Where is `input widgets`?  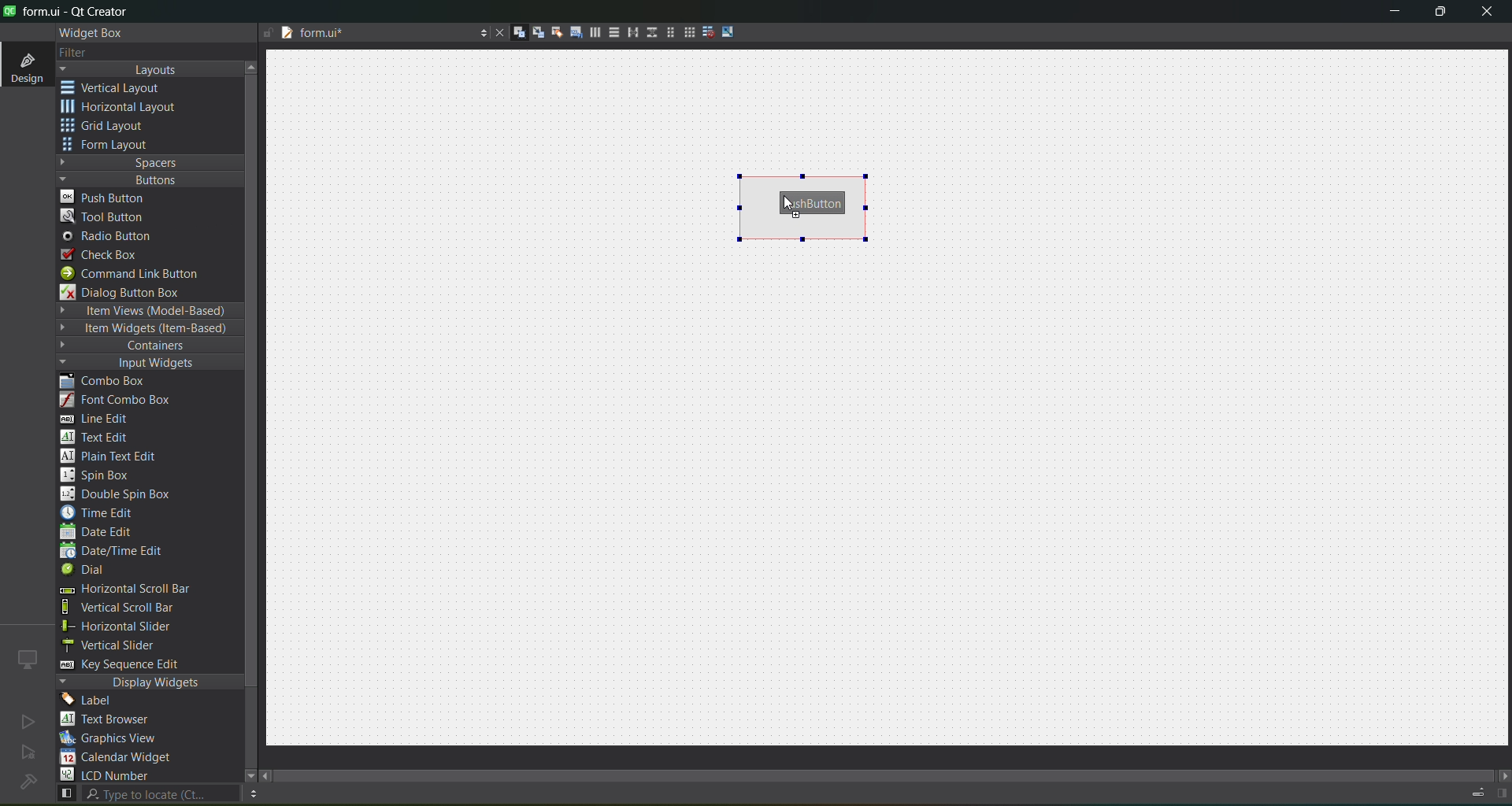
input widgets is located at coordinates (142, 364).